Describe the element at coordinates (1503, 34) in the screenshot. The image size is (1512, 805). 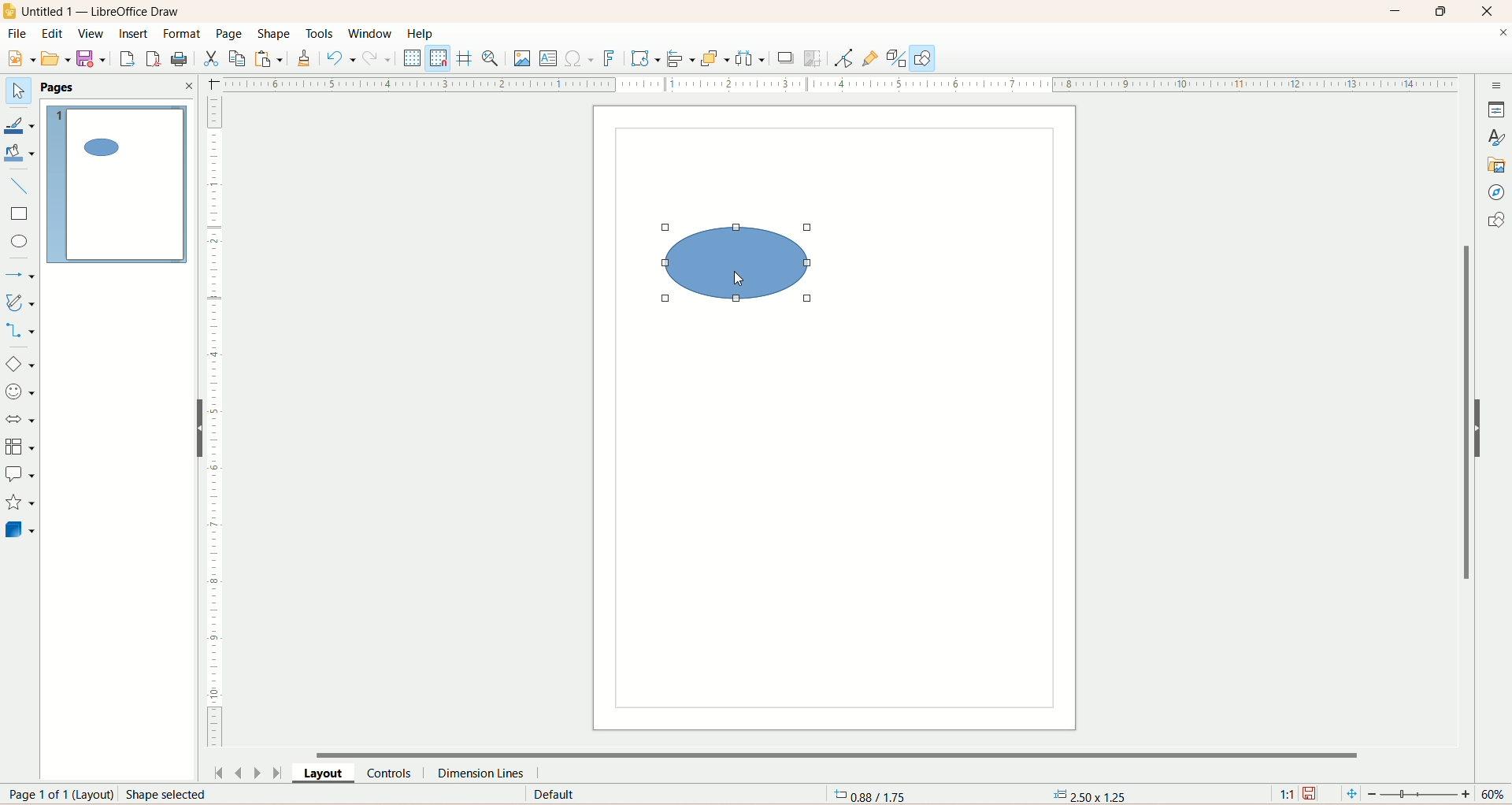
I see `close documents` at that location.